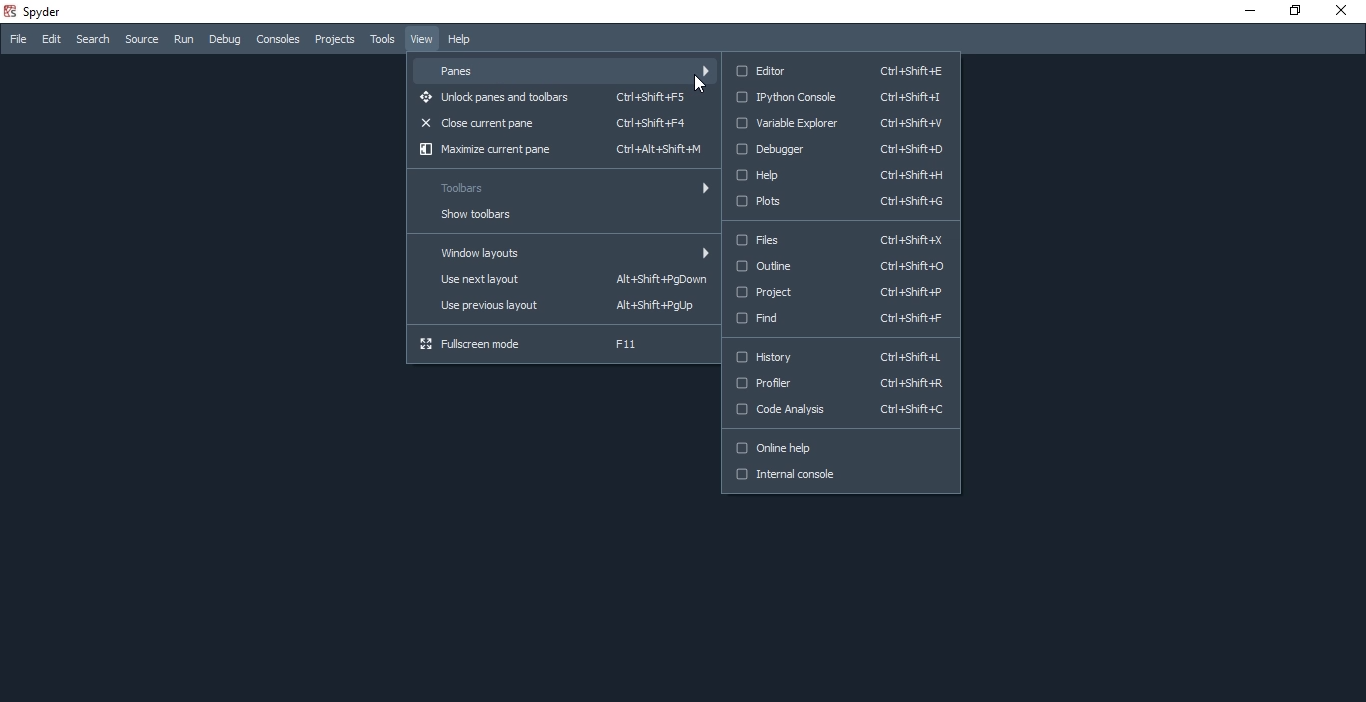  I want to click on Debugger, so click(844, 149).